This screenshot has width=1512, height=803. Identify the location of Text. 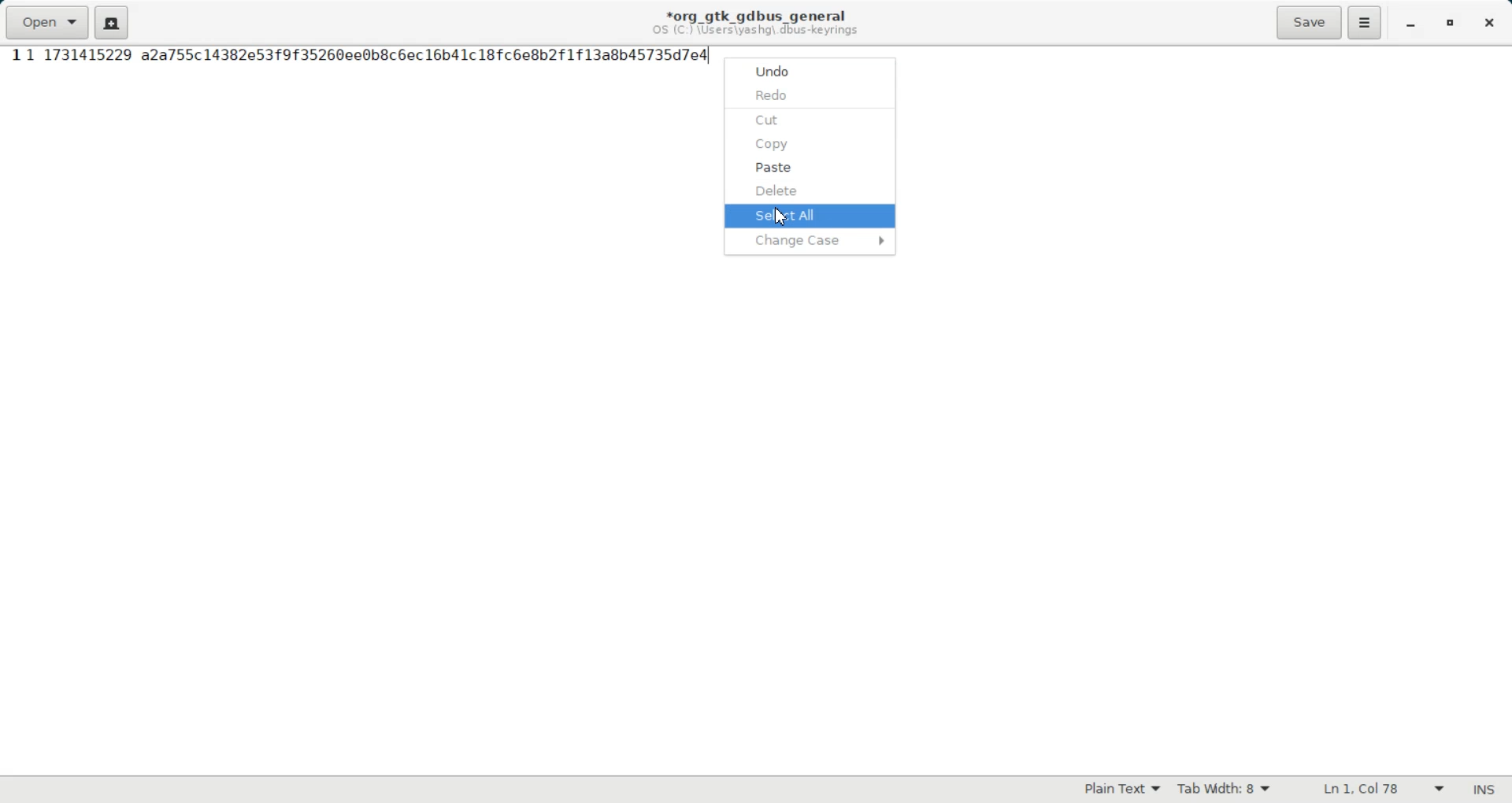
(1483, 790).